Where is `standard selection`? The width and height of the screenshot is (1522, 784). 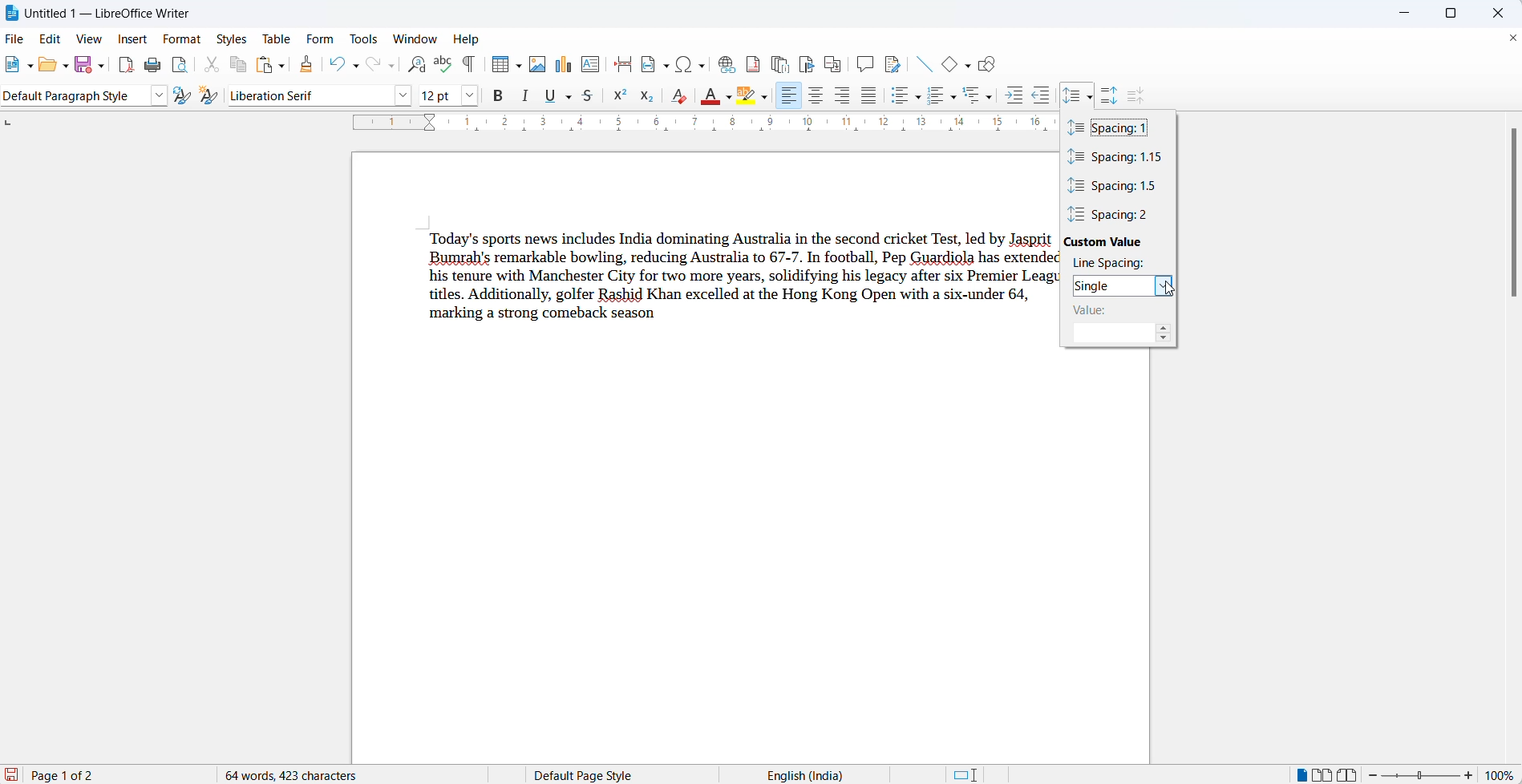
standard selection is located at coordinates (965, 774).